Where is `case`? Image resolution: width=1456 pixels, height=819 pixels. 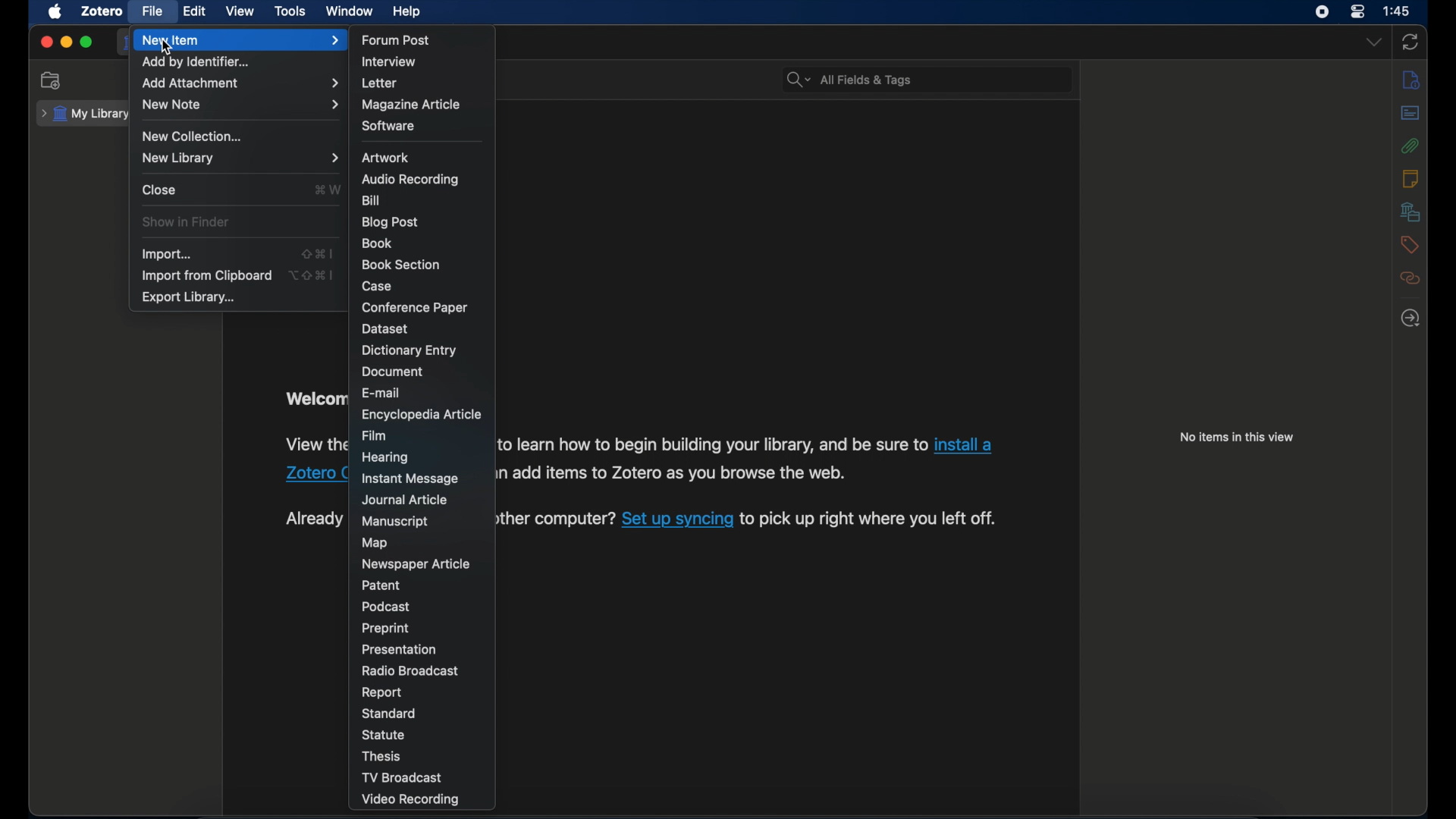
case is located at coordinates (378, 287).